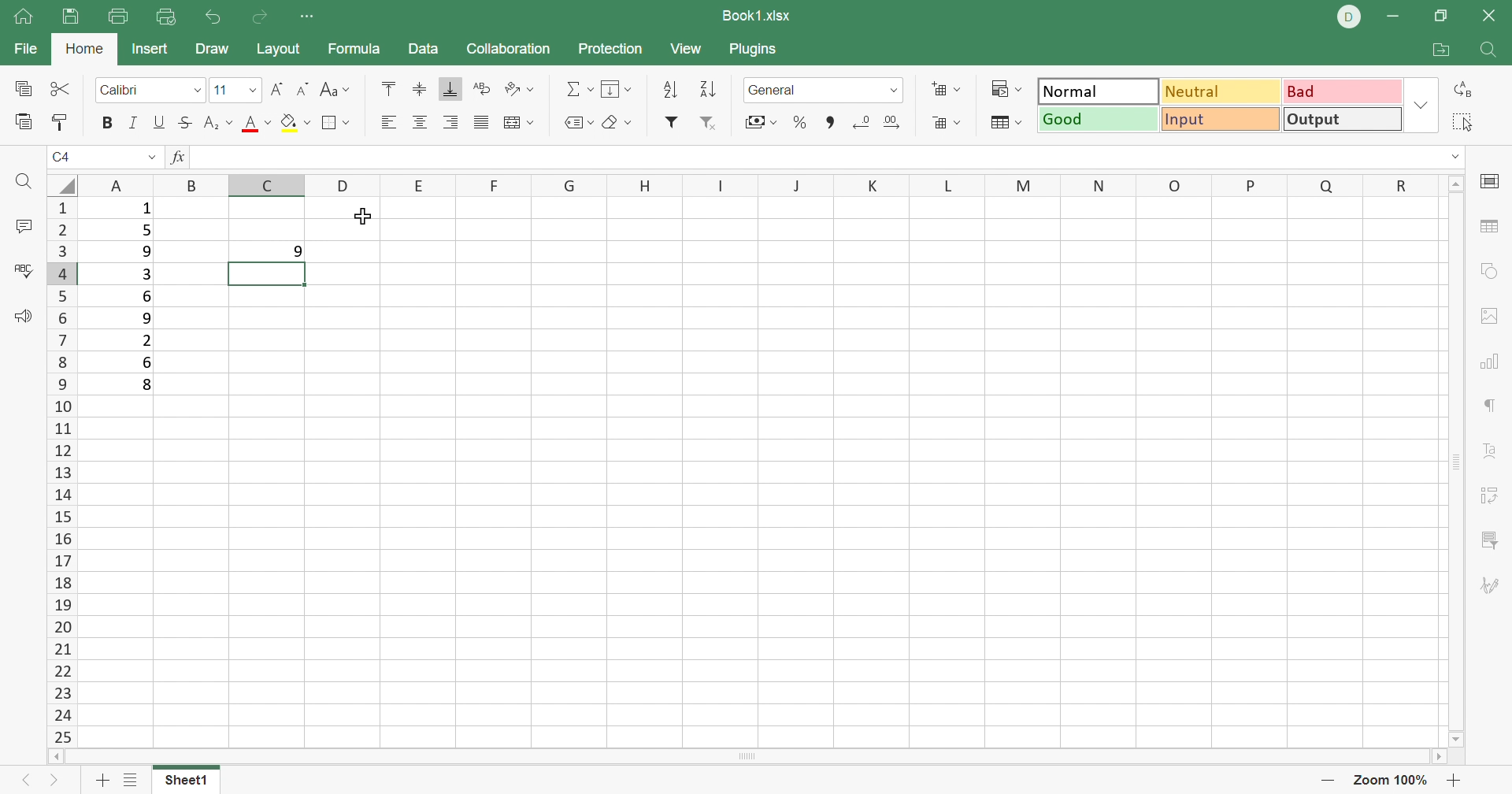 The height and width of the screenshot is (794, 1512). What do you see at coordinates (1494, 497) in the screenshot?
I see `Pivot Table settings` at bounding box center [1494, 497].